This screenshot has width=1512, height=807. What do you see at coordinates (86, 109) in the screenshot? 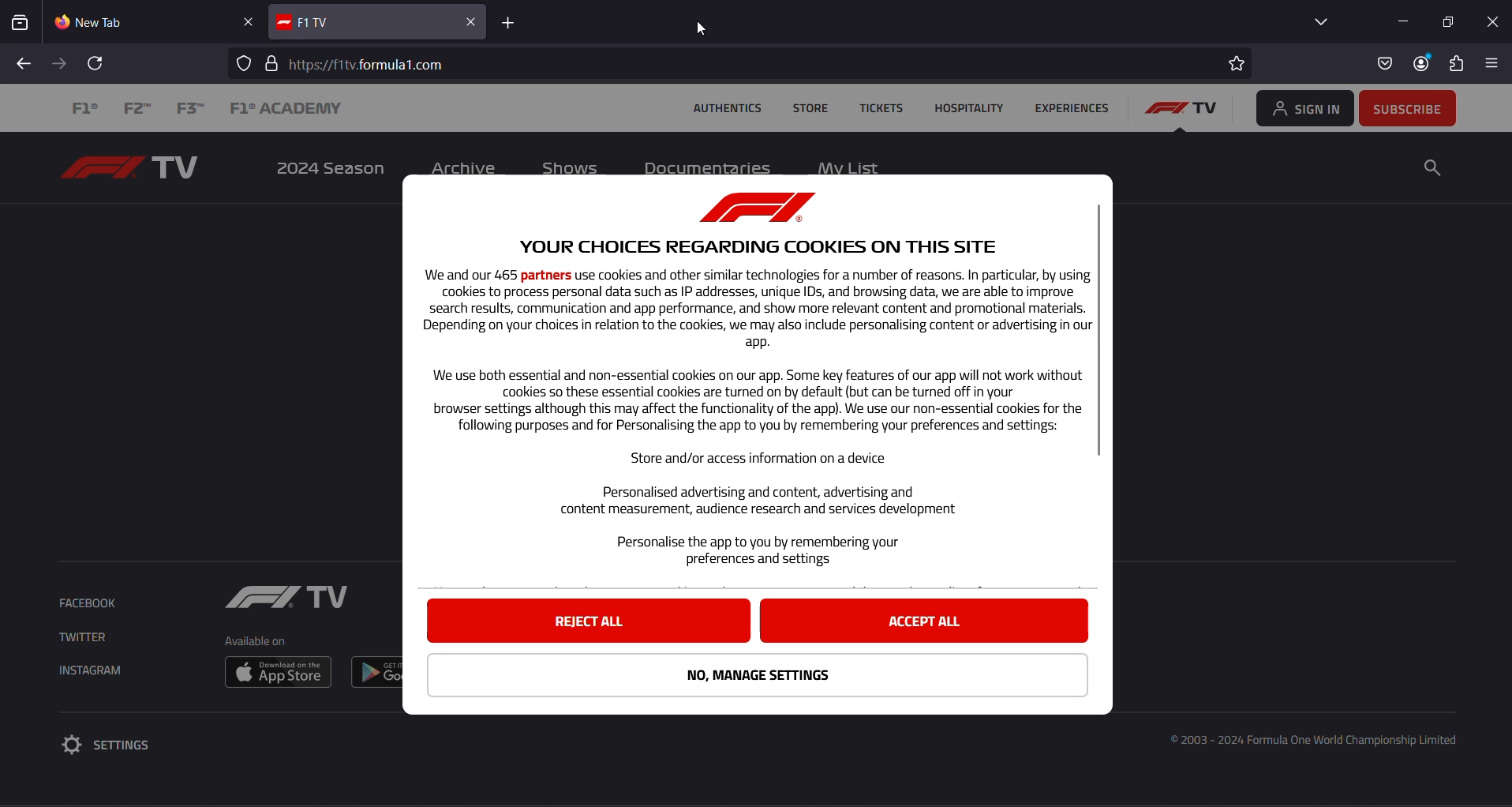
I see `f1` at bounding box center [86, 109].